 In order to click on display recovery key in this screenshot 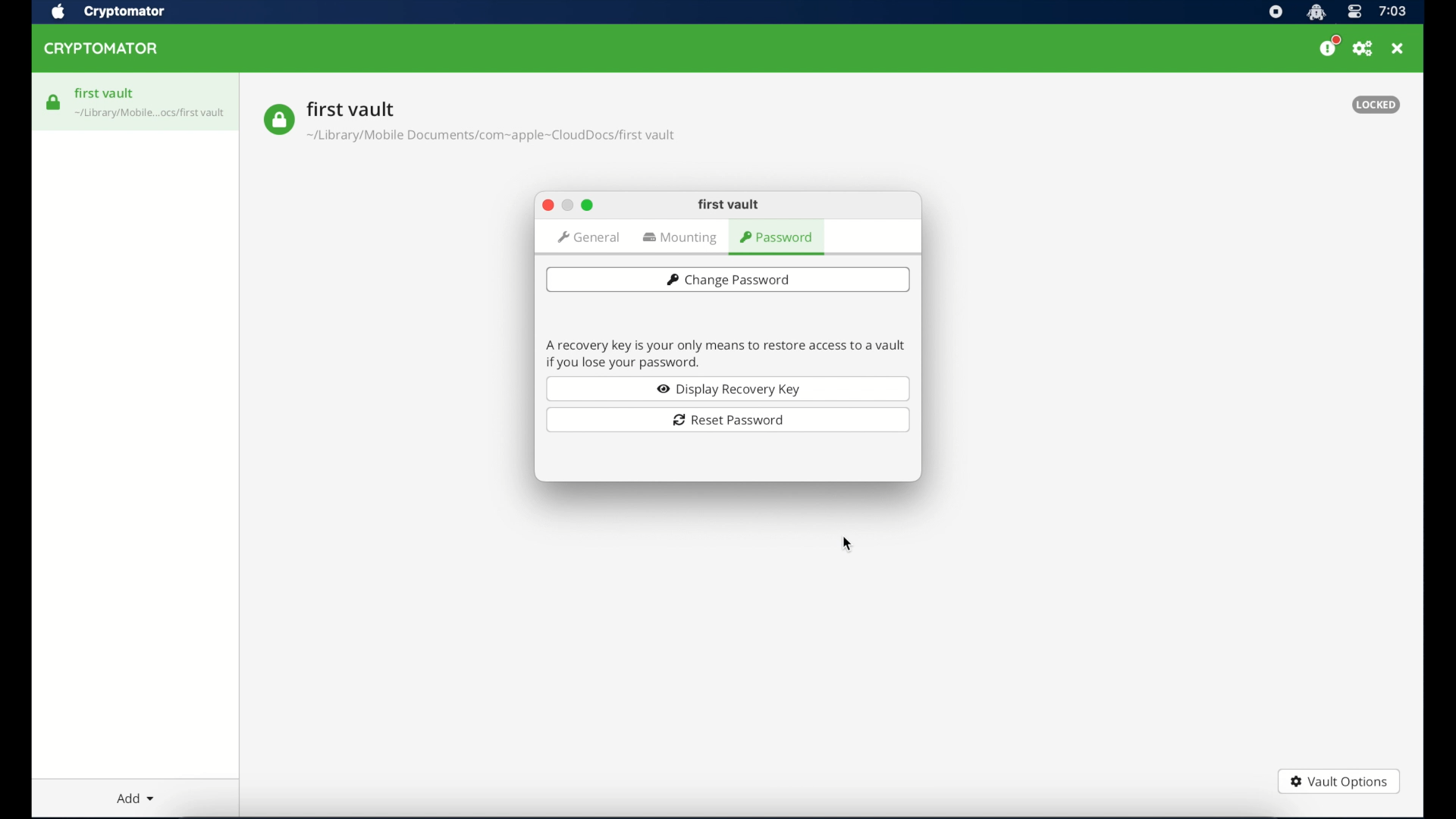, I will do `click(728, 388)`.